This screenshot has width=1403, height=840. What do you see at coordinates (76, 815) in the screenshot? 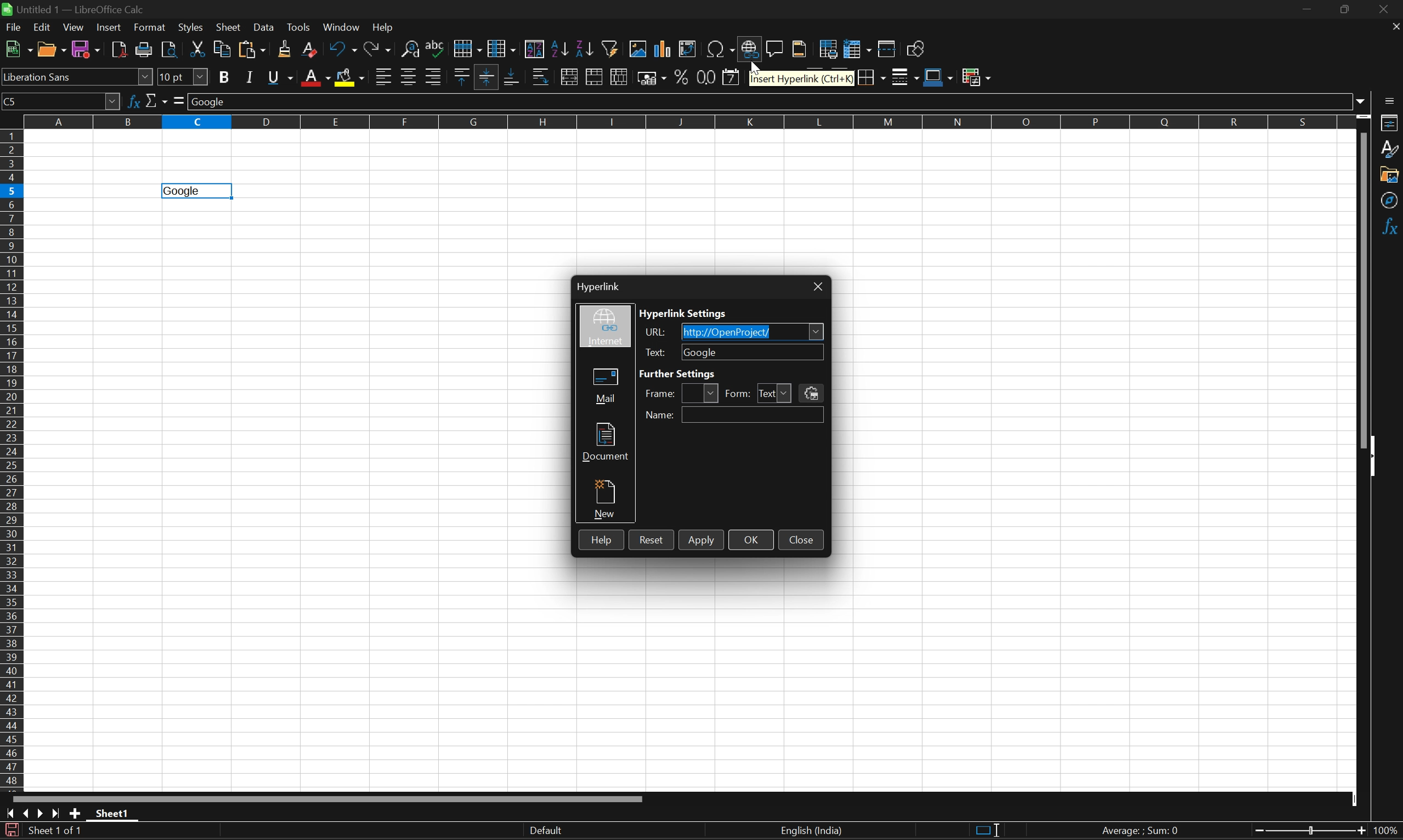
I see `Add new sheet` at bounding box center [76, 815].